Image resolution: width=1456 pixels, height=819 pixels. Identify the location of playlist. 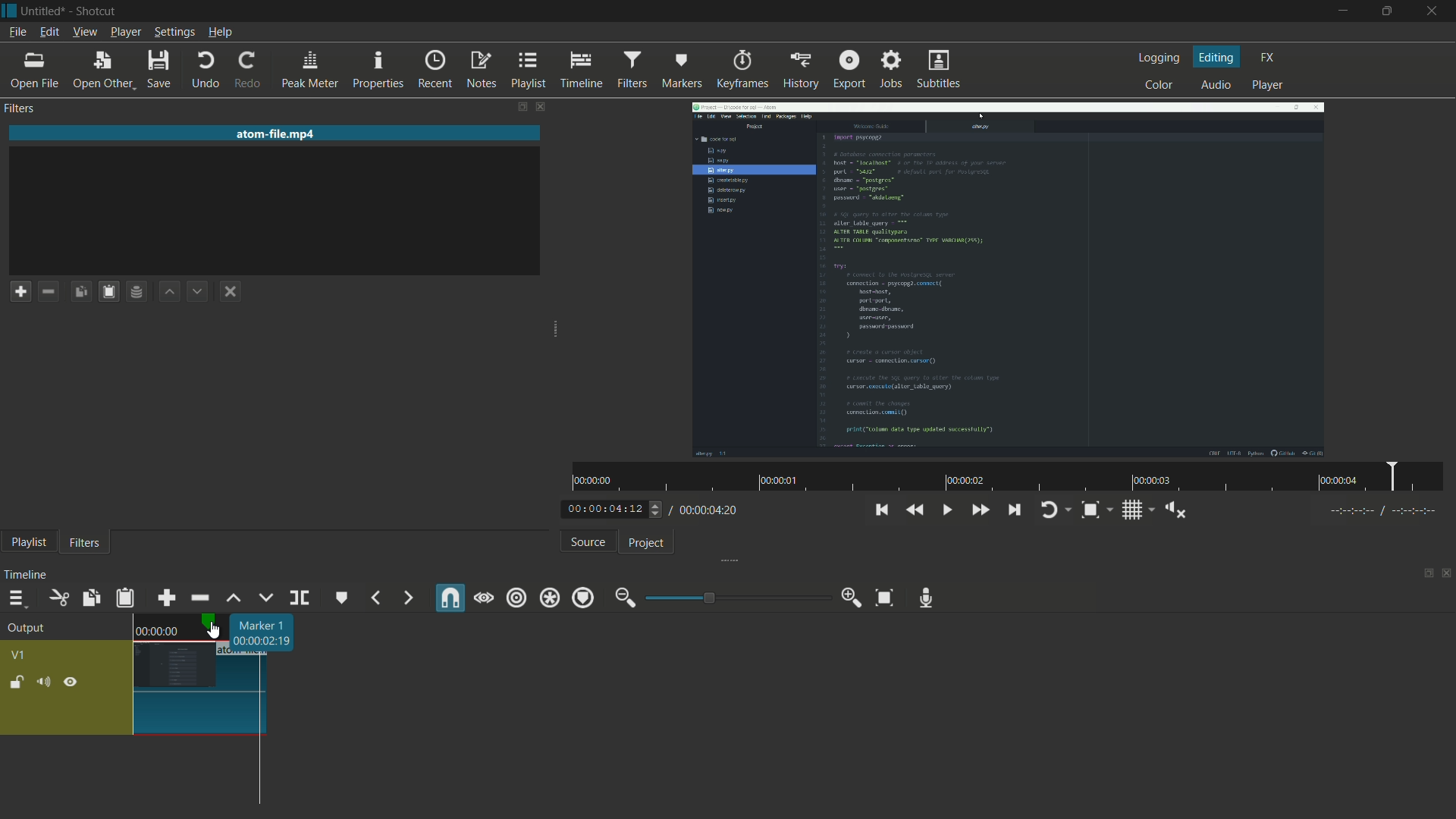
(526, 68).